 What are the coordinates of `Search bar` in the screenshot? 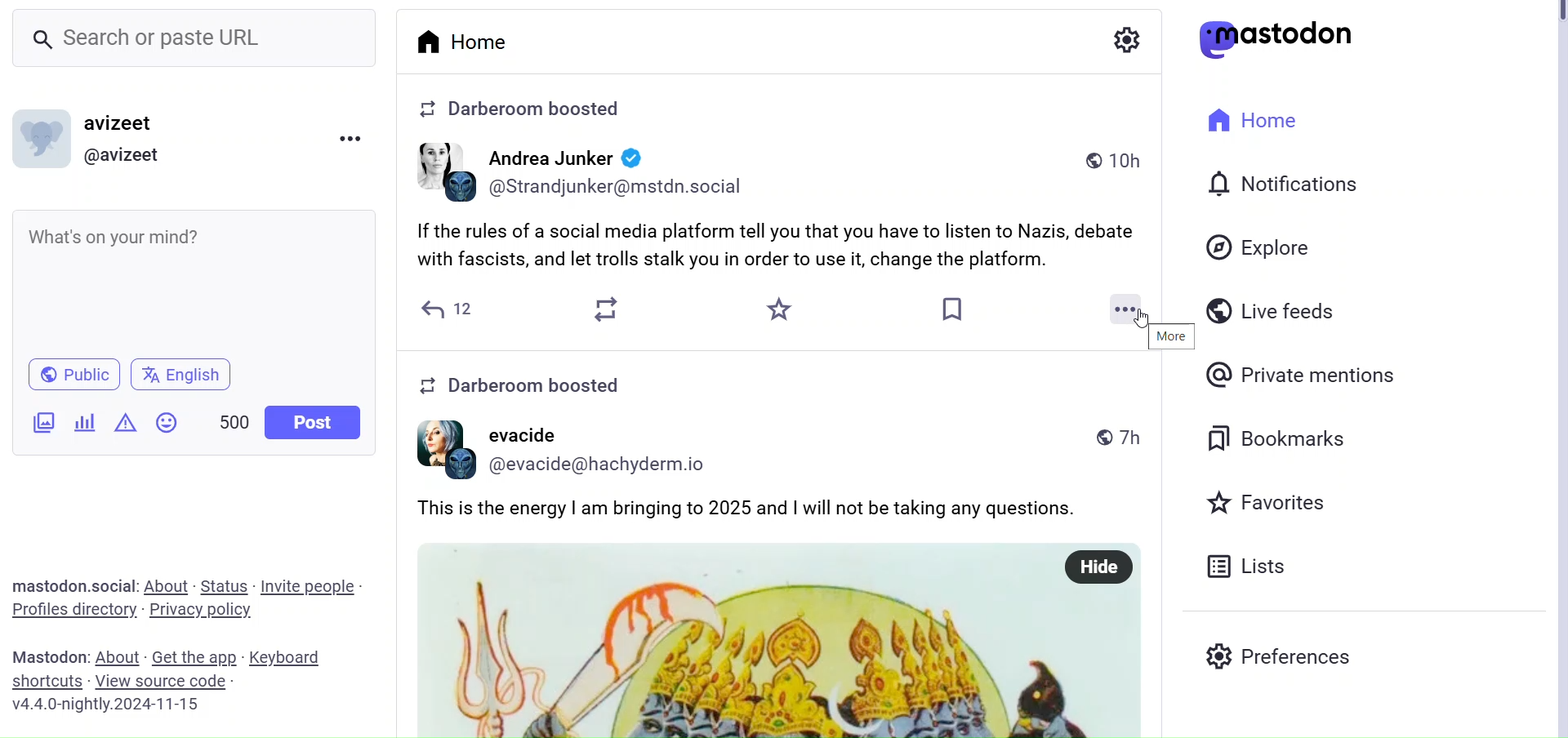 It's located at (191, 37).